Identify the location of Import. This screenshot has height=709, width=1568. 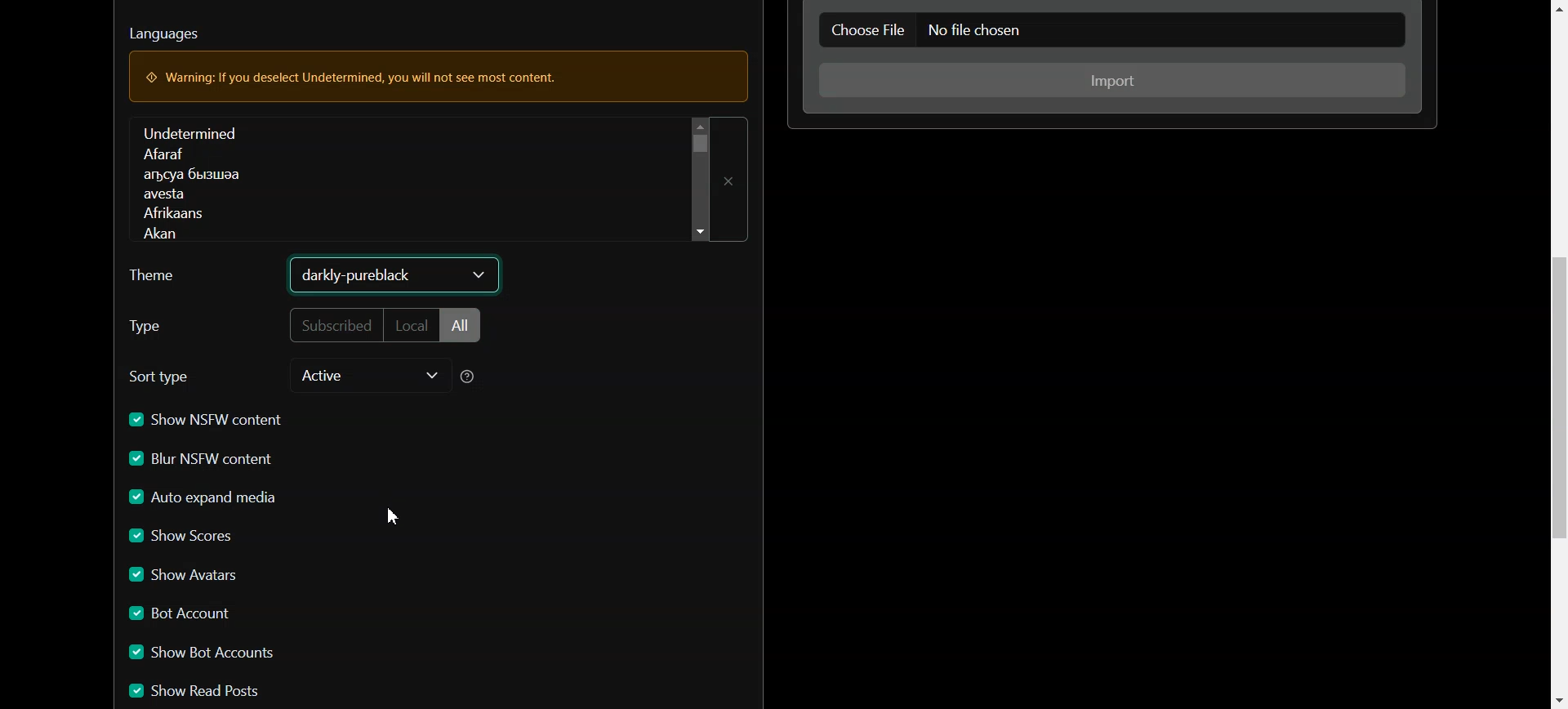
(1115, 80).